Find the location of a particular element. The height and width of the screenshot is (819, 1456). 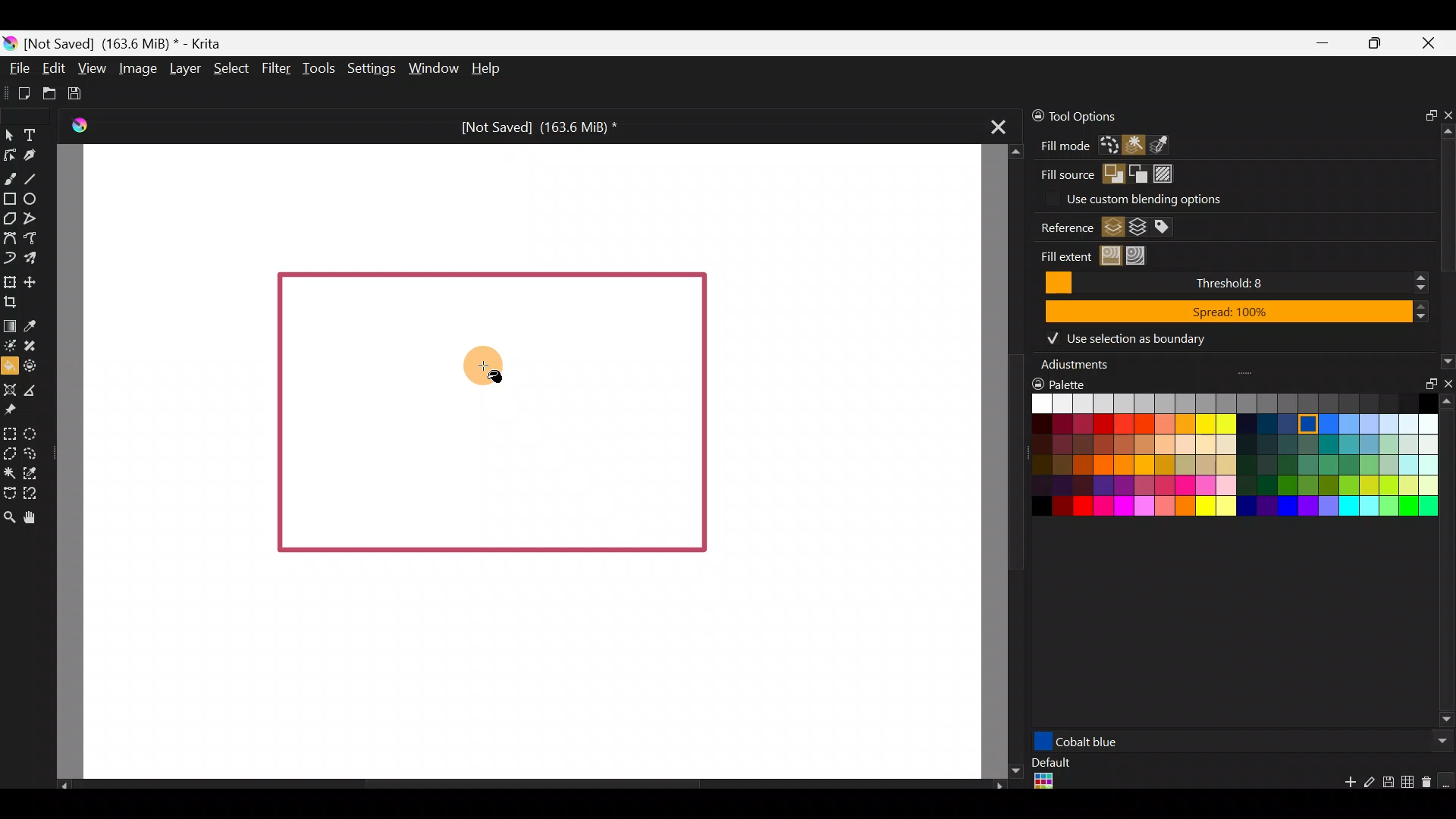

Bezier curve tool is located at coordinates (9, 236).